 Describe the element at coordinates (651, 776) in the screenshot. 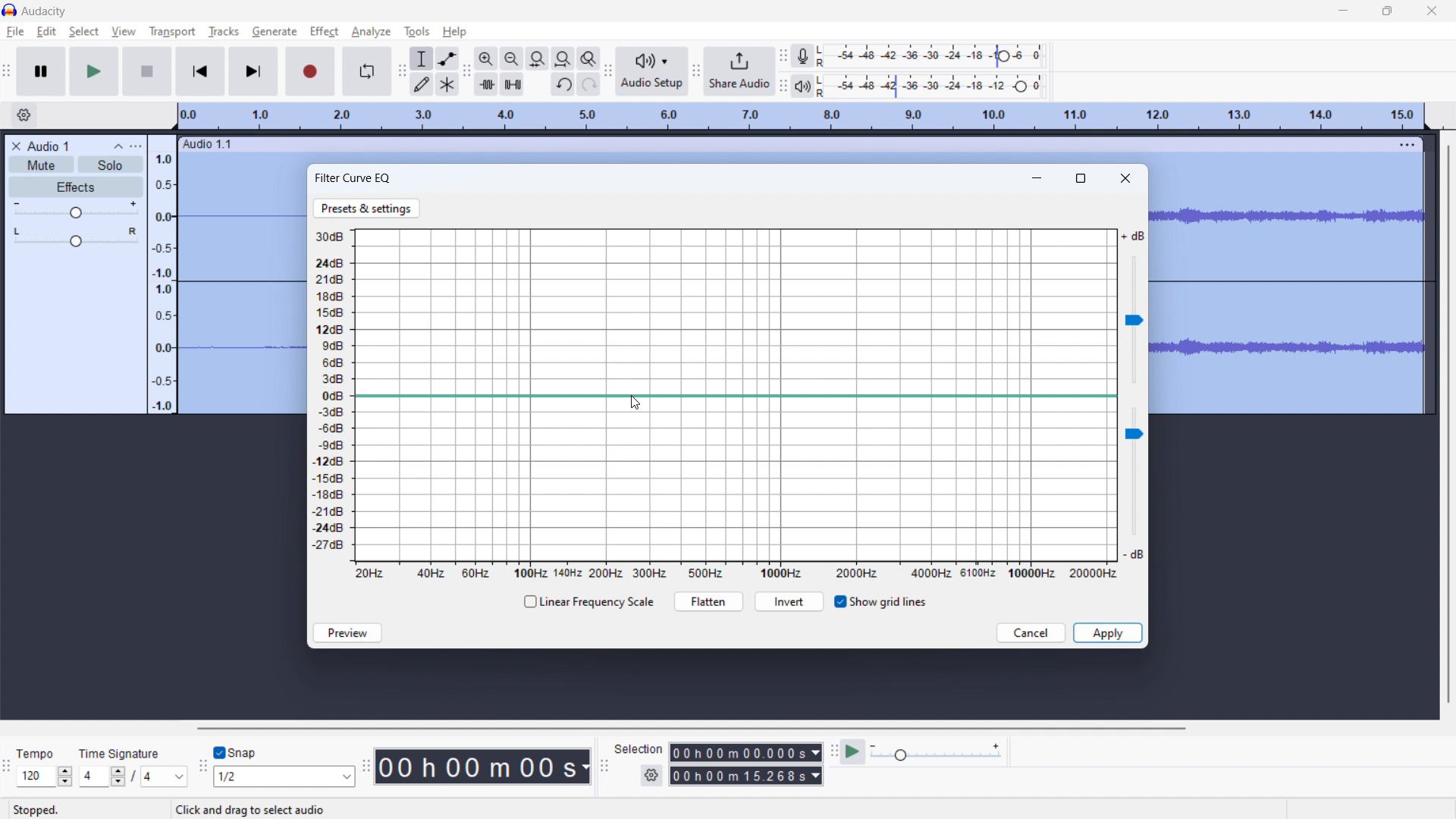

I see `settings` at that location.